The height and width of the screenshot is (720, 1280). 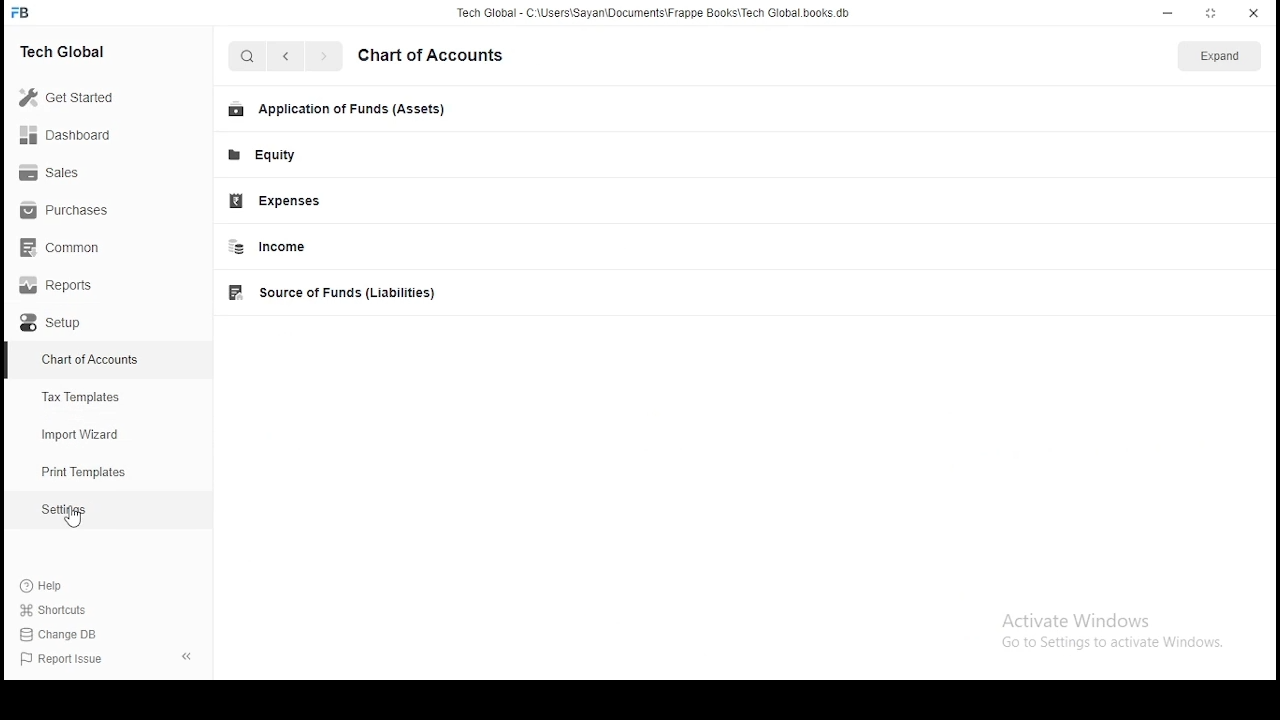 I want to click on Tech Global - C:\Users\Sayan\Documents\Frappe Books\Tech Global. books. db, so click(x=653, y=16).